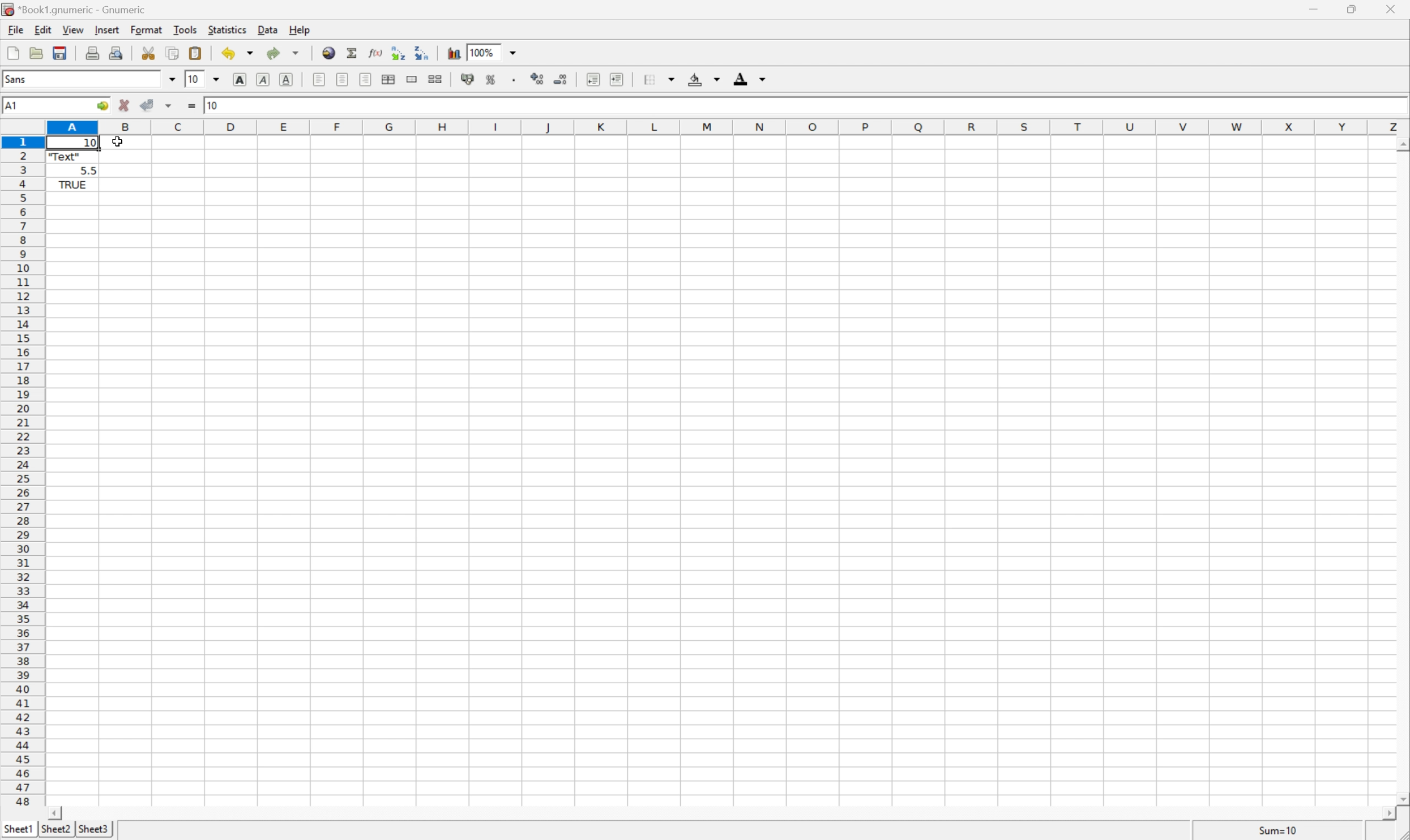 Image resolution: width=1410 pixels, height=840 pixels. Describe the element at coordinates (195, 52) in the screenshot. I see `Paste a clipboard` at that location.